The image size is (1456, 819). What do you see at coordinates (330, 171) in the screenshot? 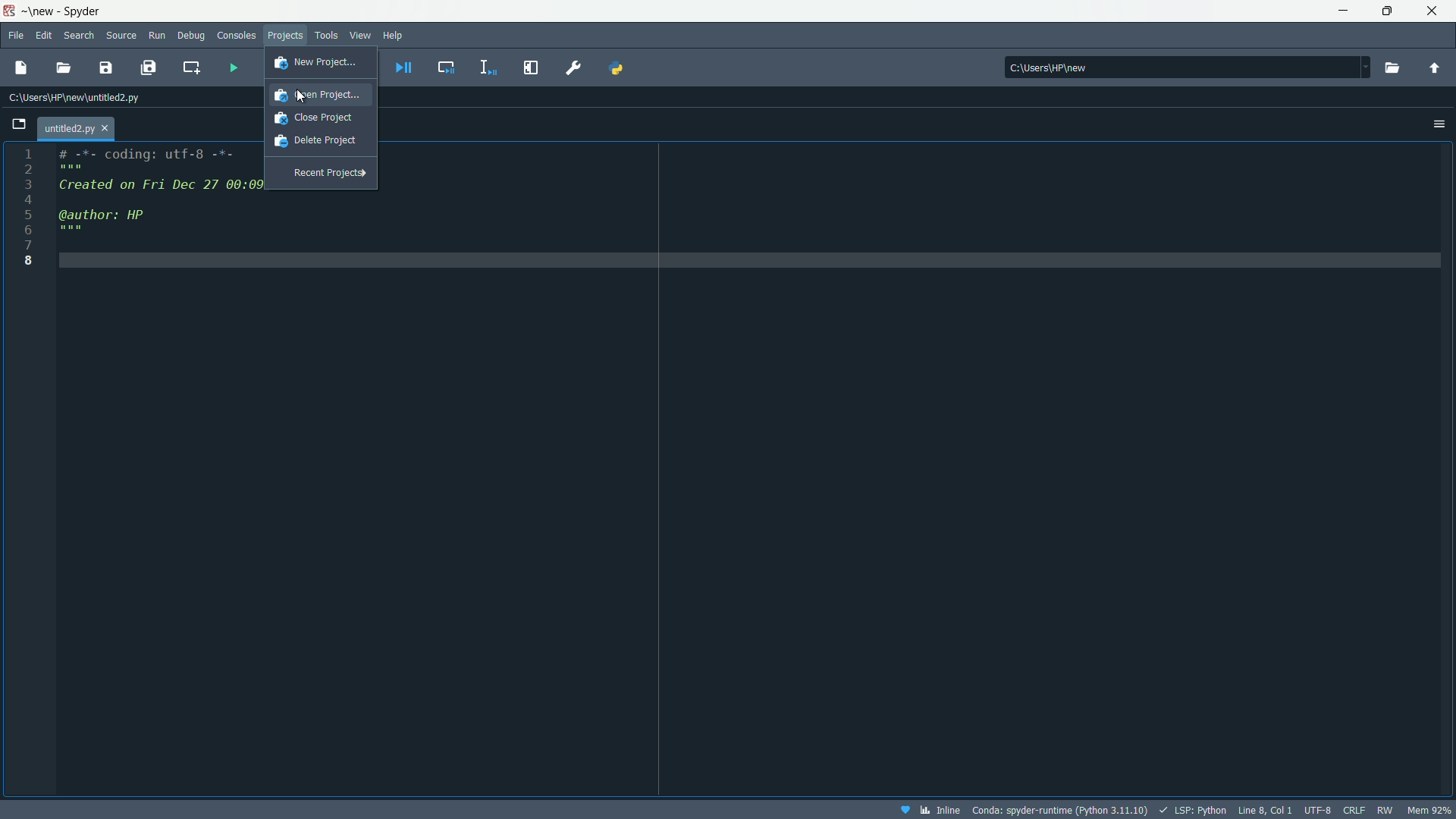
I see `recent projects` at bounding box center [330, 171].